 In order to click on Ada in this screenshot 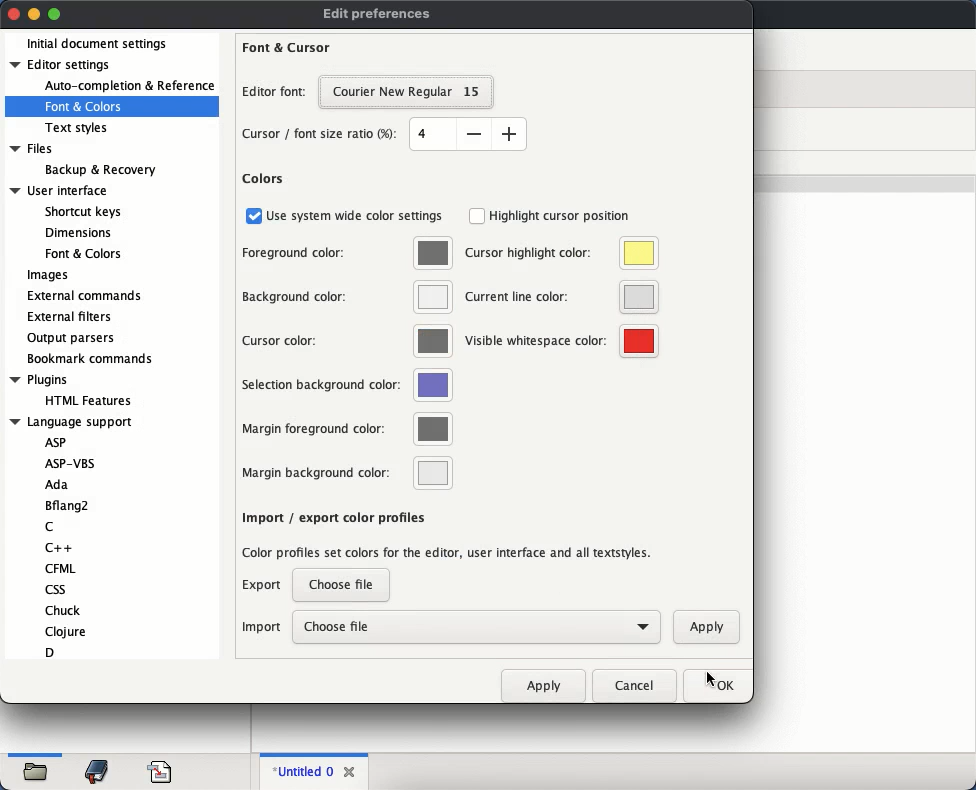, I will do `click(56, 486)`.